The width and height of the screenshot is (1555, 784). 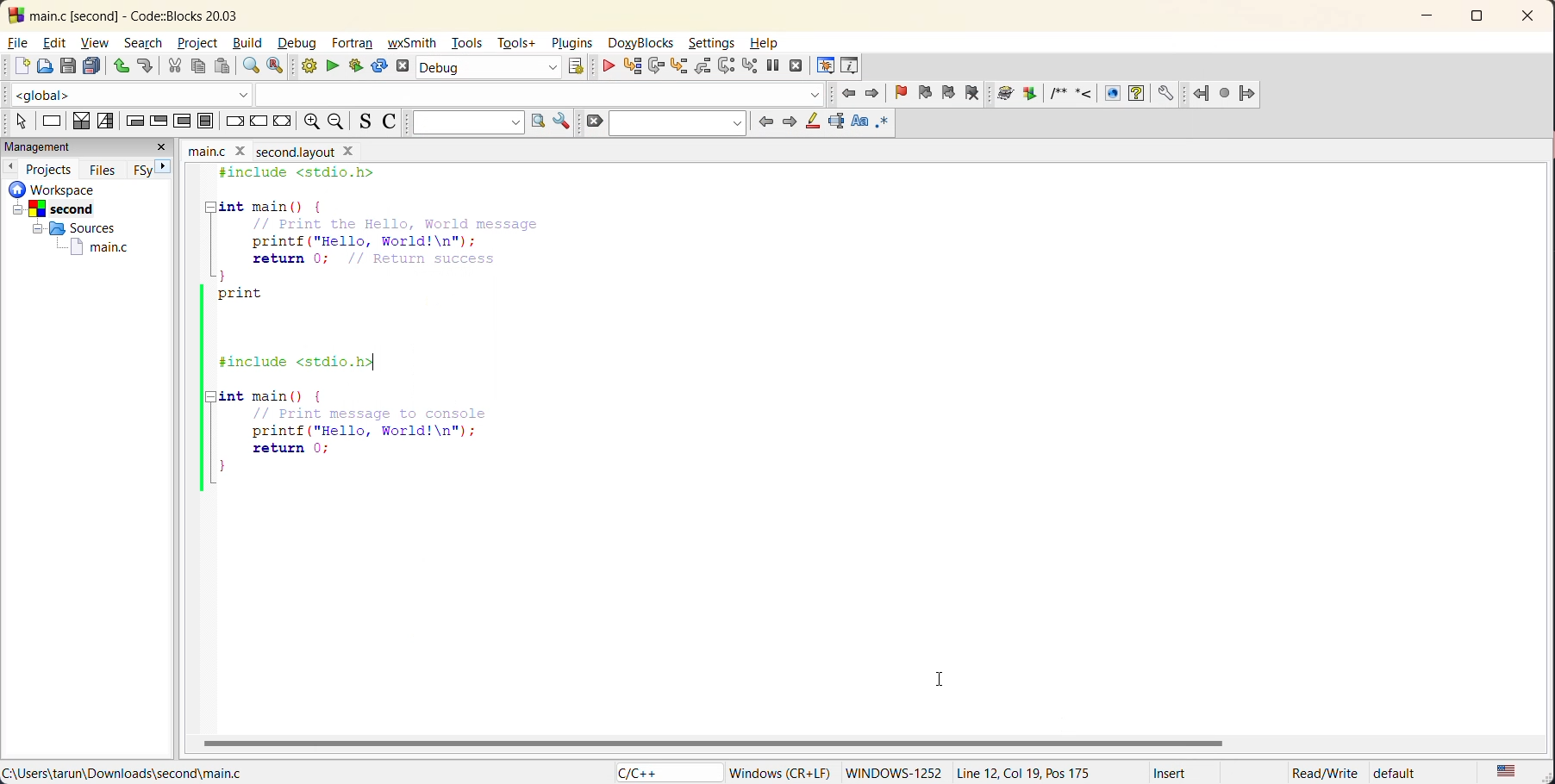 I want to click on horizontal scroll bar, so click(x=718, y=744).